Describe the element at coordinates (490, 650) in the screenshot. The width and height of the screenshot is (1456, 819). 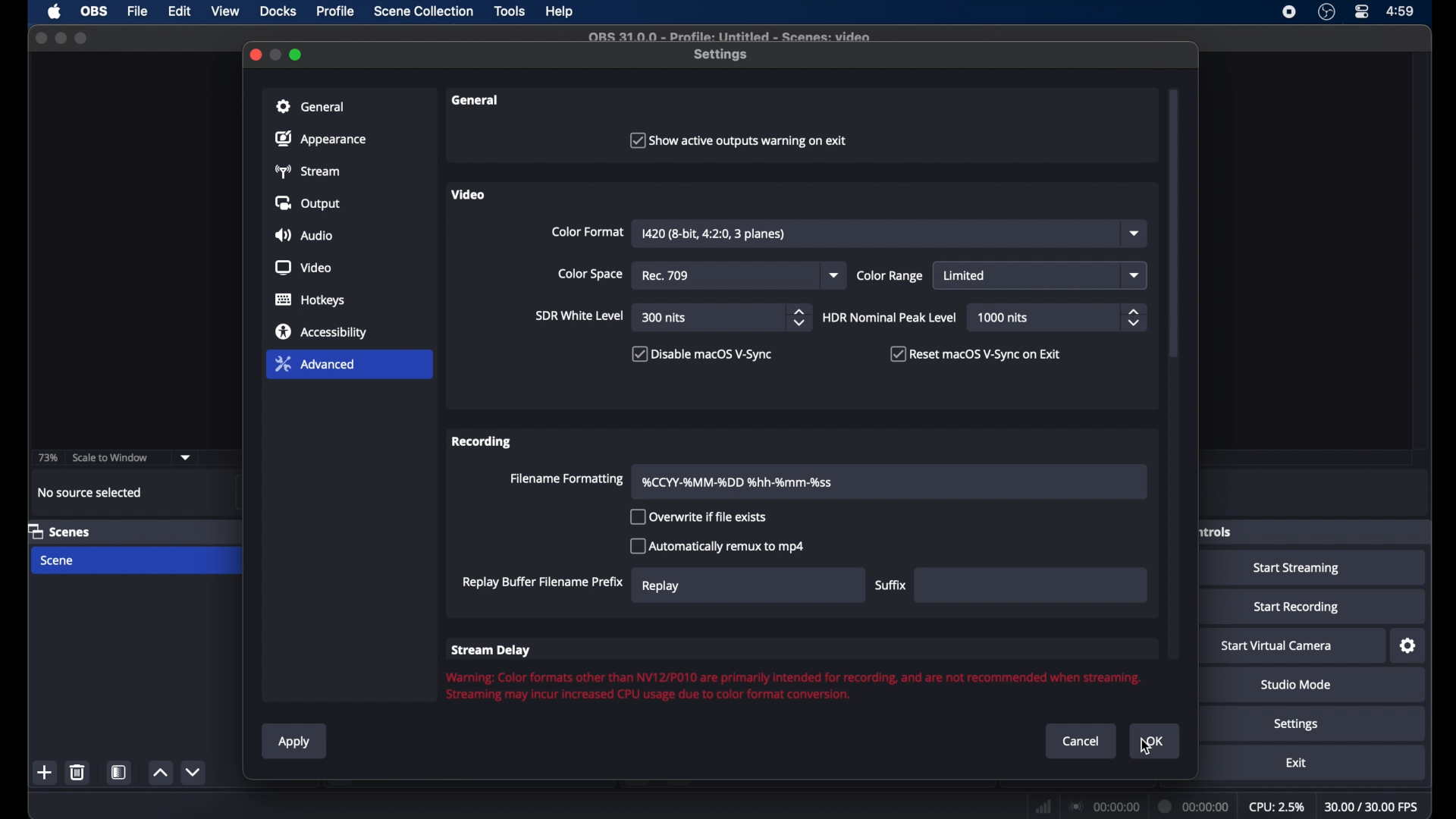
I see `stream delay` at that location.